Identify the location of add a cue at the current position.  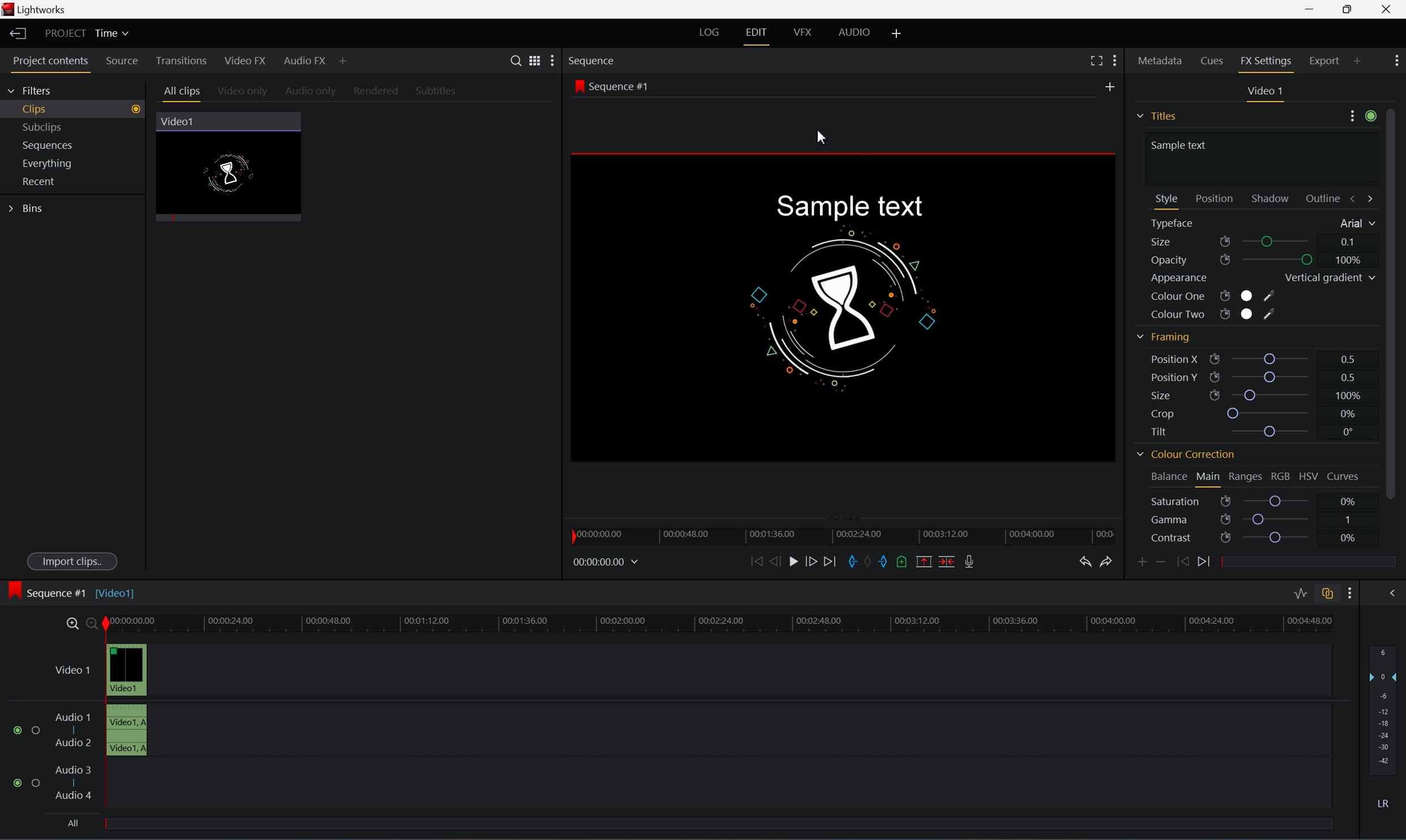
(906, 563).